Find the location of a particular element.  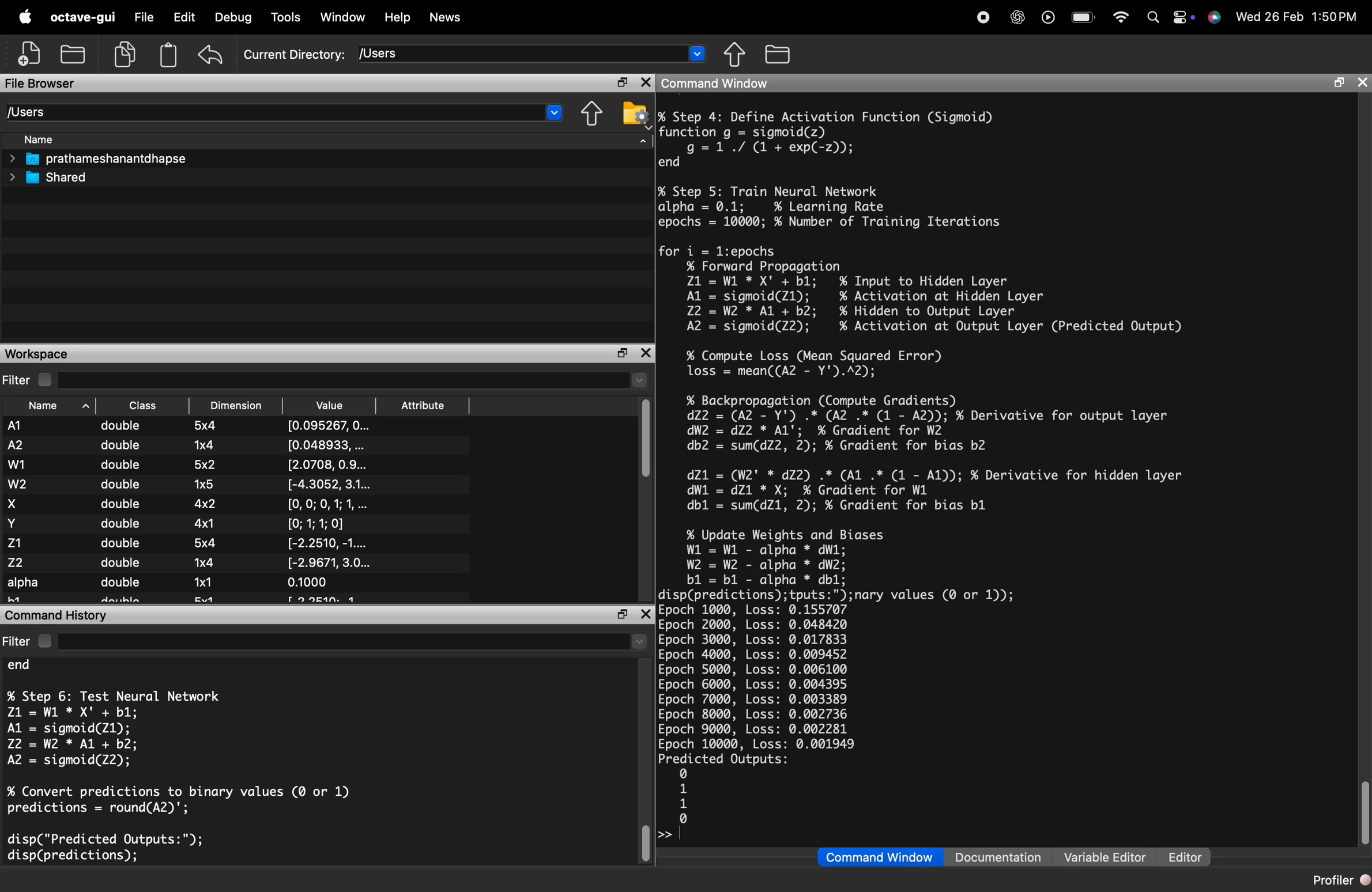

W1 is located at coordinates (16, 463).